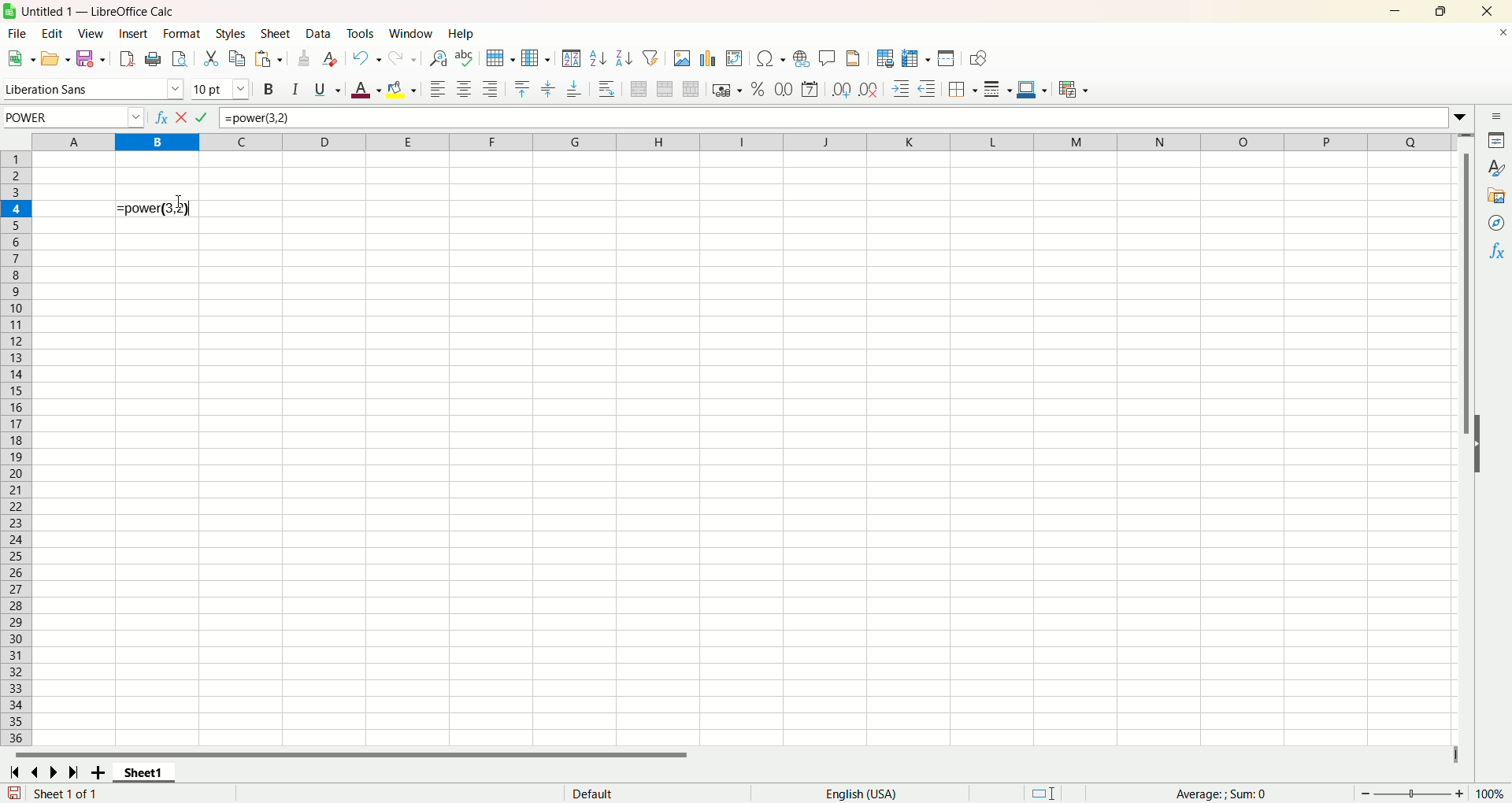 The height and width of the screenshot is (803, 1512). Describe the element at coordinates (13, 771) in the screenshot. I see `first sheet` at that location.